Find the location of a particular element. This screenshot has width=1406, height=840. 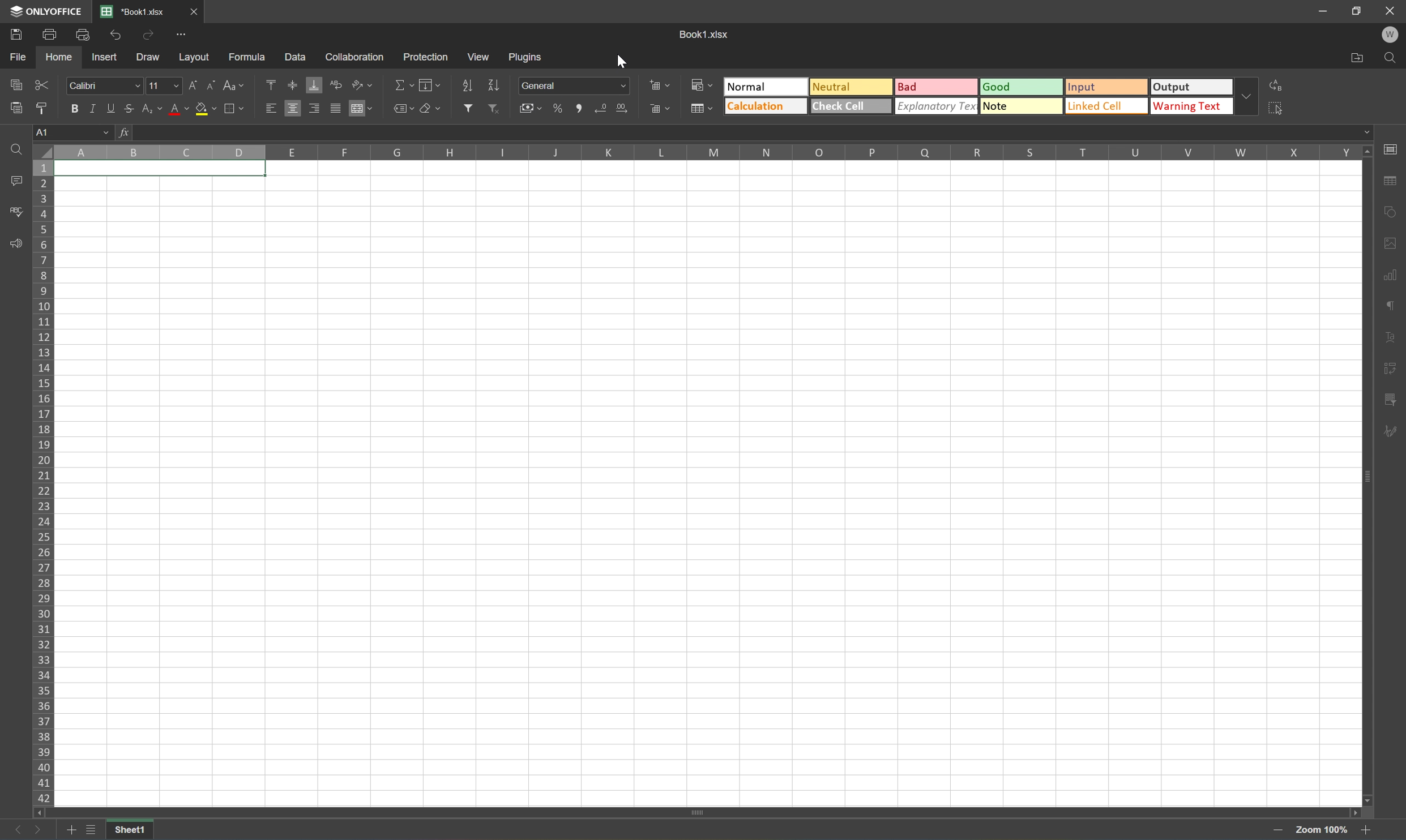

Sheet1 is located at coordinates (131, 831).